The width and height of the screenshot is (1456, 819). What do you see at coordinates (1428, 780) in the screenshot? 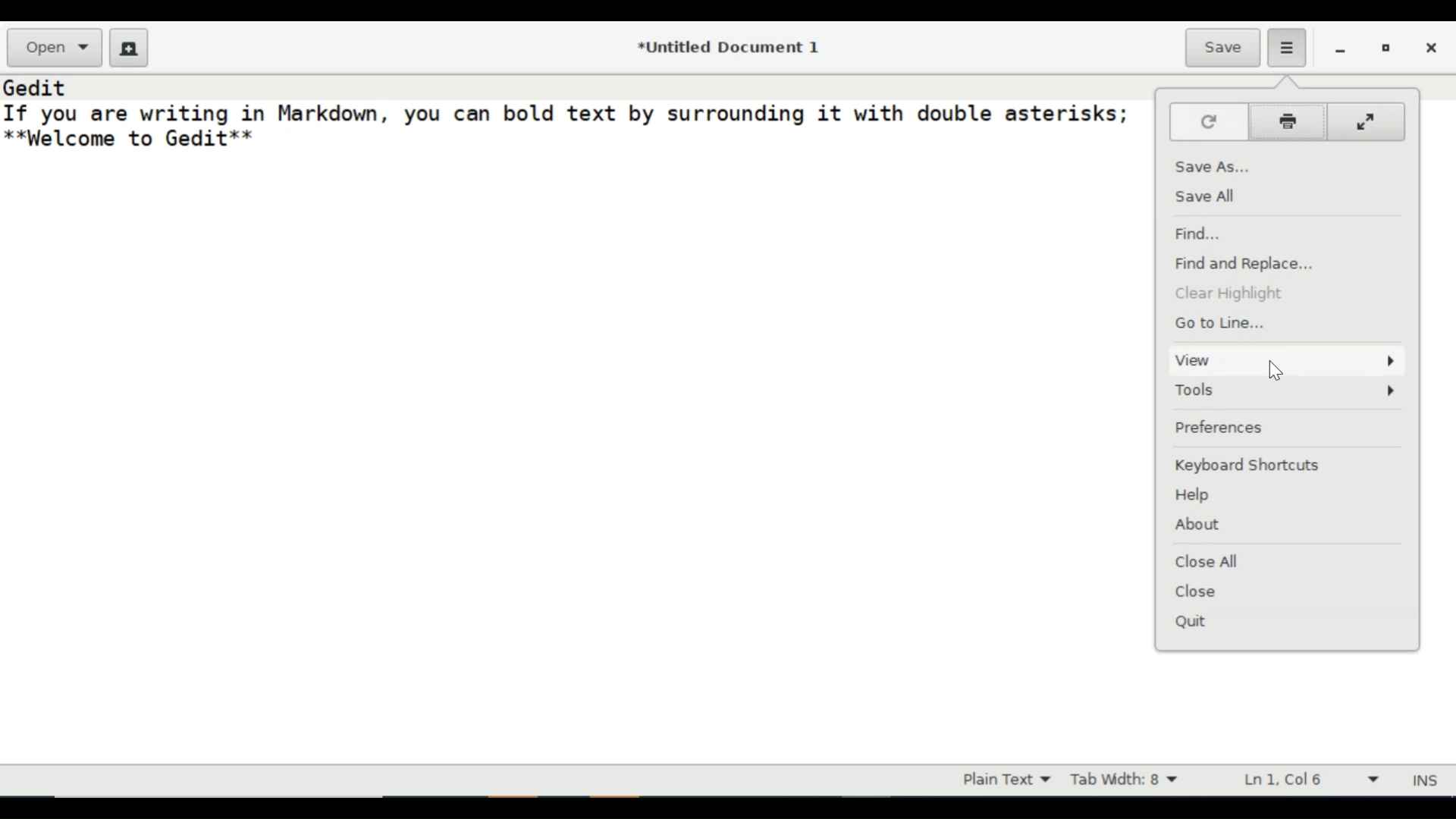
I see `INS` at bounding box center [1428, 780].